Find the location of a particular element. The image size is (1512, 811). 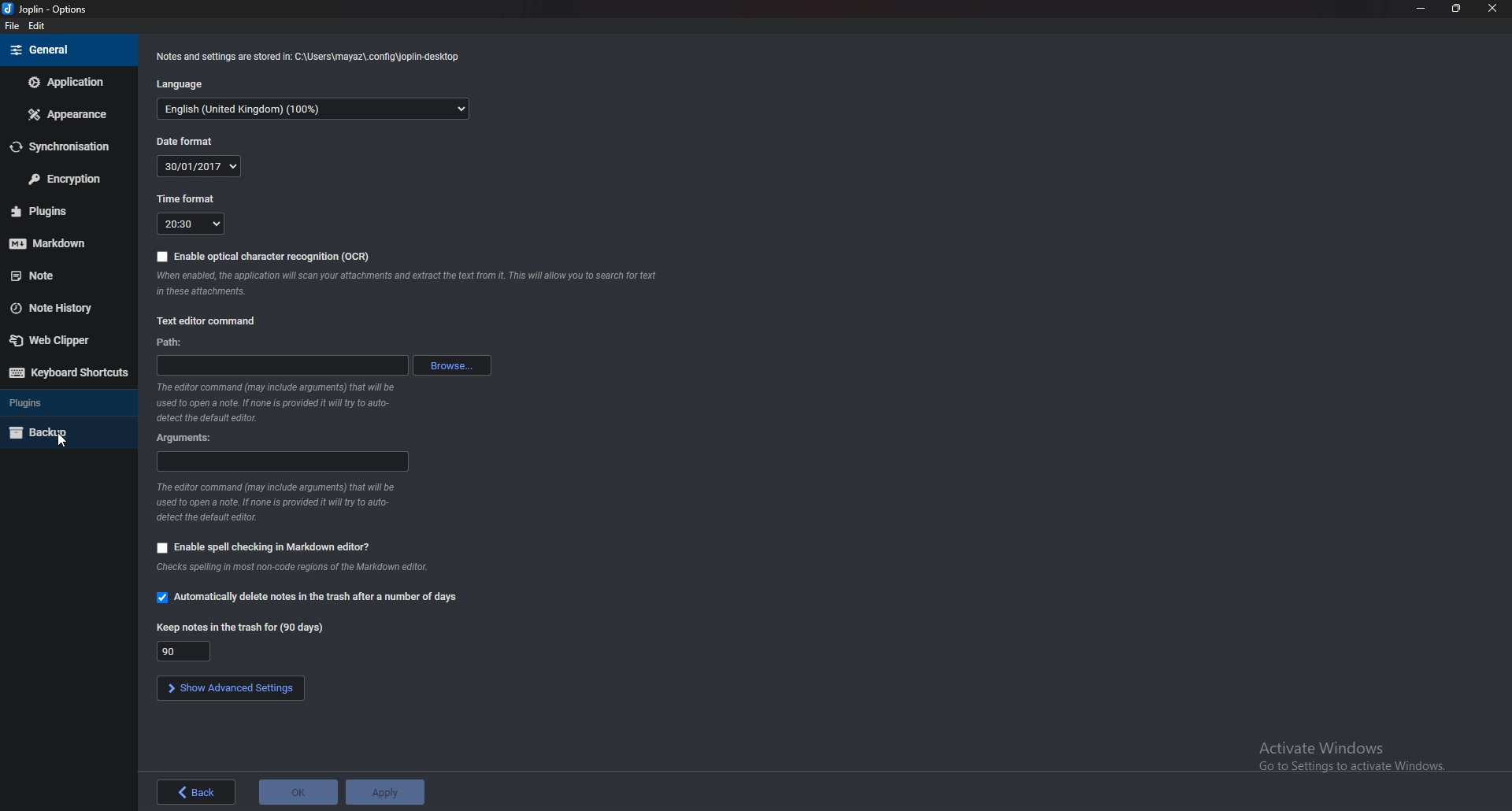

Plugins is located at coordinates (61, 211).